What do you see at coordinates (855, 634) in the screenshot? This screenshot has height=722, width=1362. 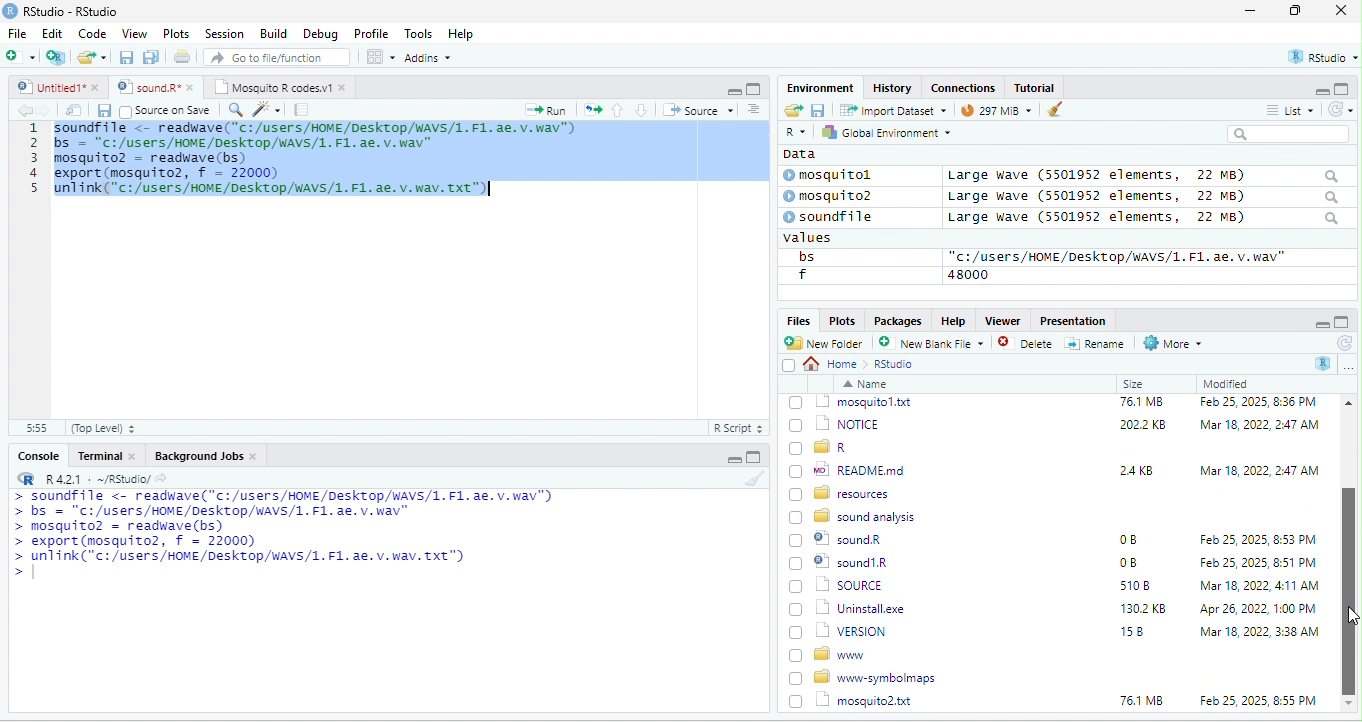 I see `8 sound analysis` at bounding box center [855, 634].